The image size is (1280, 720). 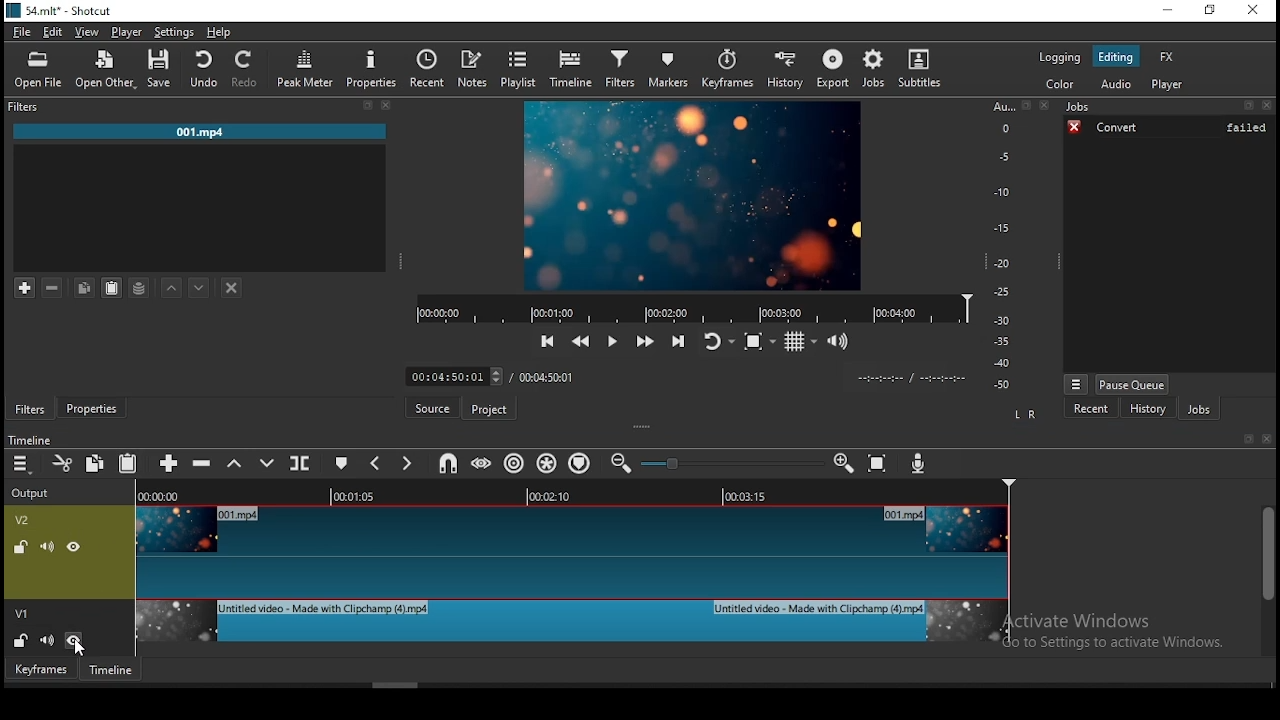 I want to click on subtitles, so click(x=924, y=67).